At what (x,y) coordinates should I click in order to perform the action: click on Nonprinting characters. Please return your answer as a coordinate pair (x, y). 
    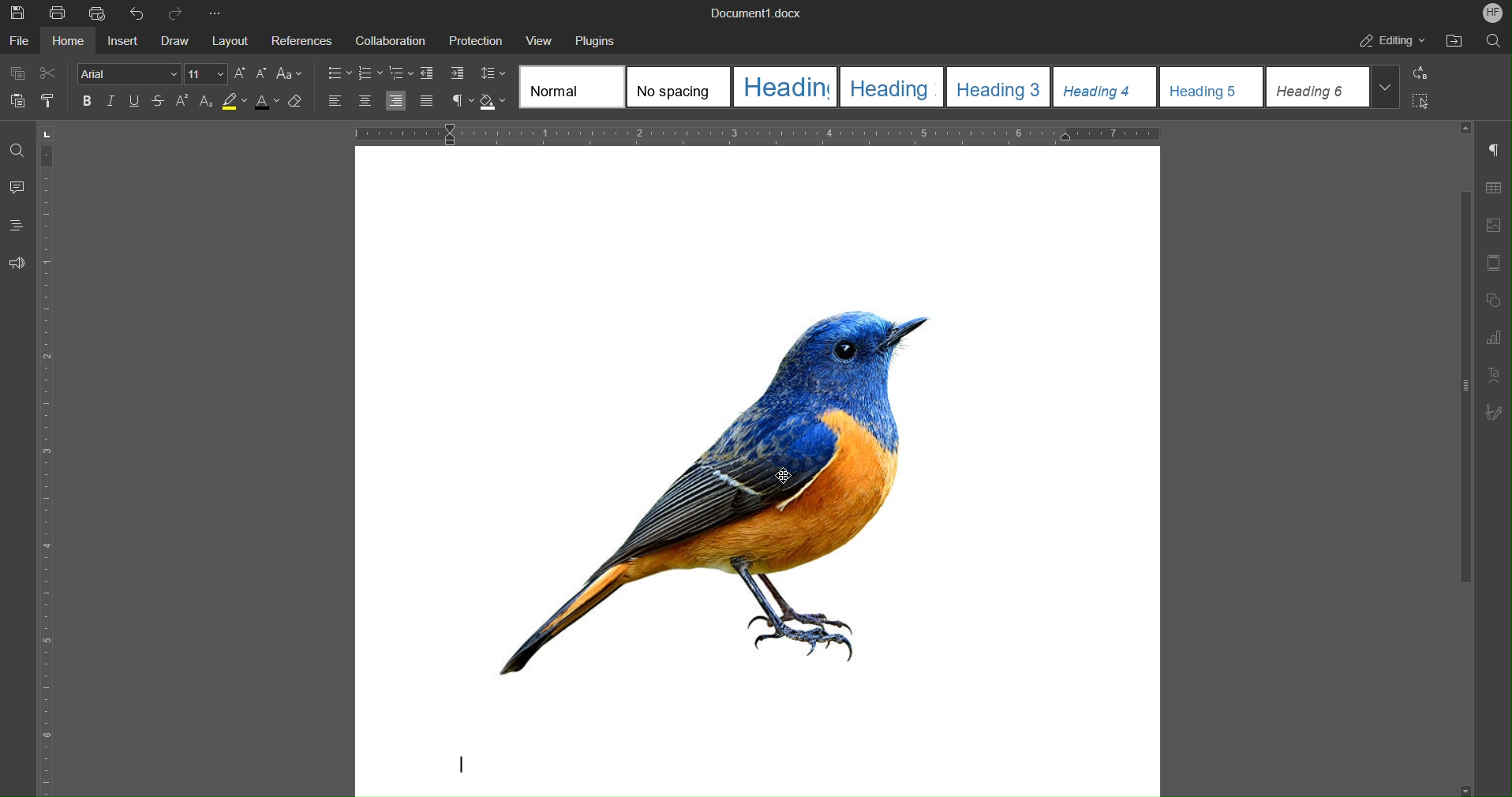
    Looking at the image, I should click on (462, 101).